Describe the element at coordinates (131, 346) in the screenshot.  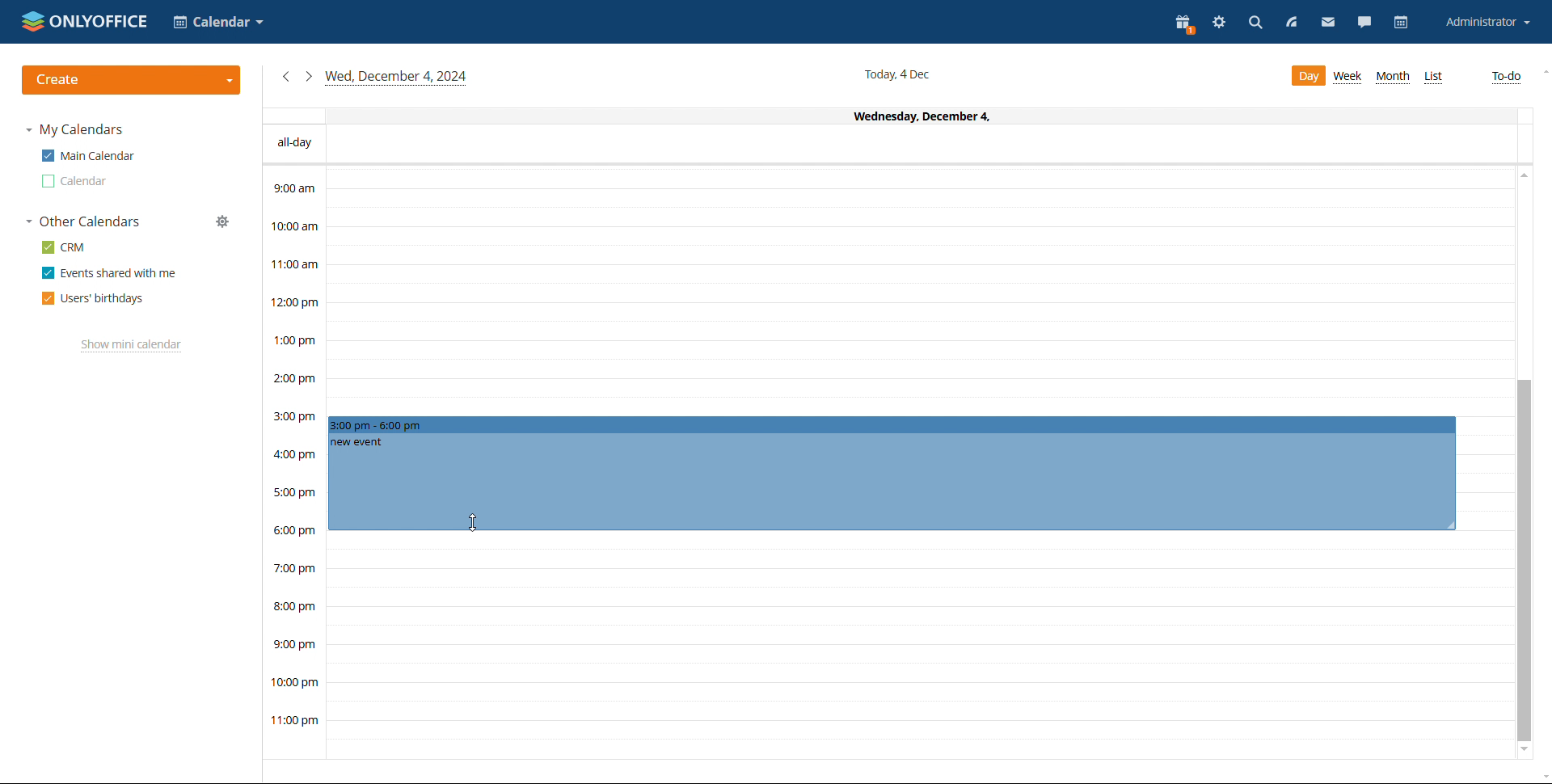
I see `show mini calendar` at that location.